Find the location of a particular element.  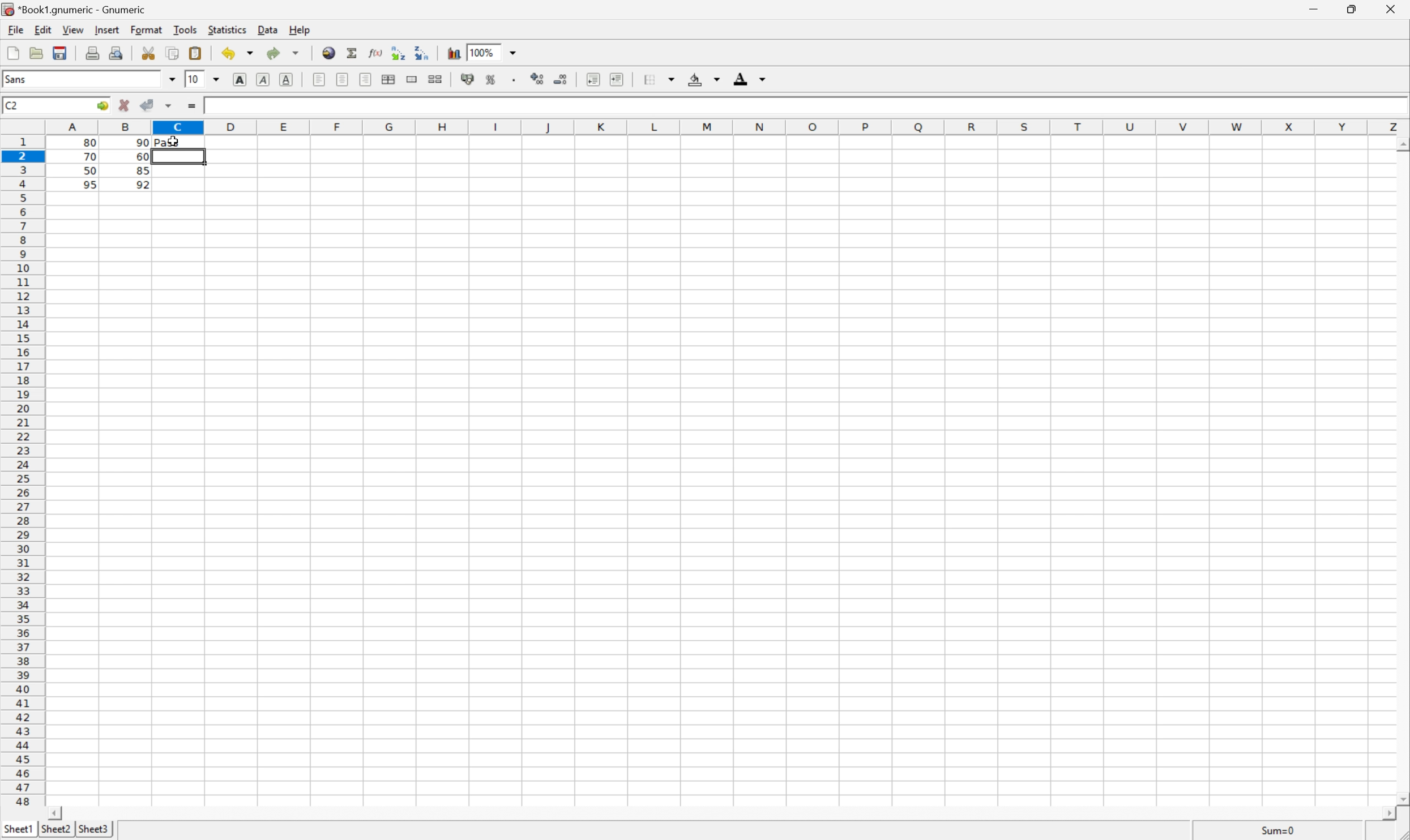

Foreground is located at coordinates (749, 76).